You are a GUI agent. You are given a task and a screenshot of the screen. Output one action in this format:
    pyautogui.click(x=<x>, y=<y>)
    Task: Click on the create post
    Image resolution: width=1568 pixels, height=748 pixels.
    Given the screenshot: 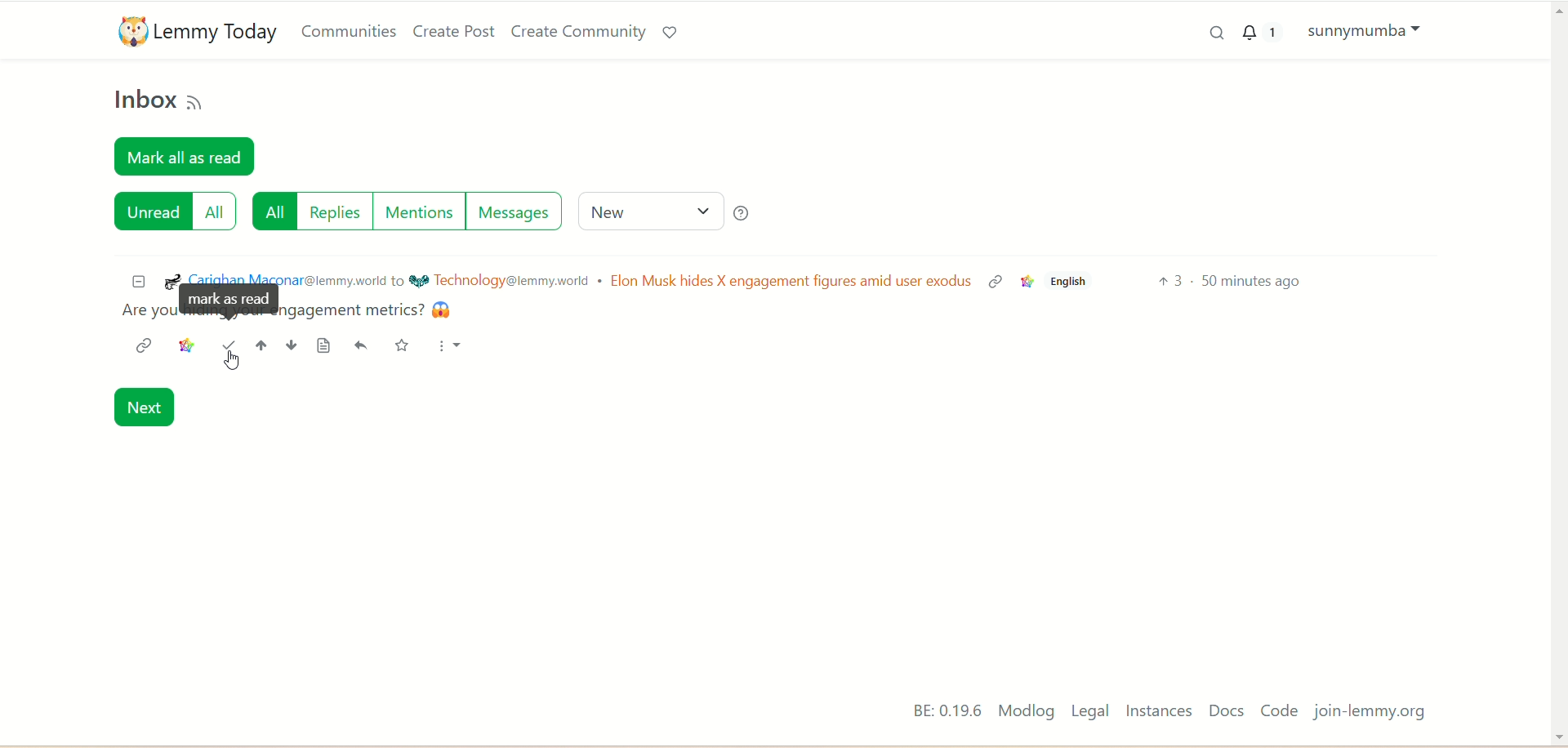 What is the action you would take?
    pyautogui.click(x=453, y=32)
    